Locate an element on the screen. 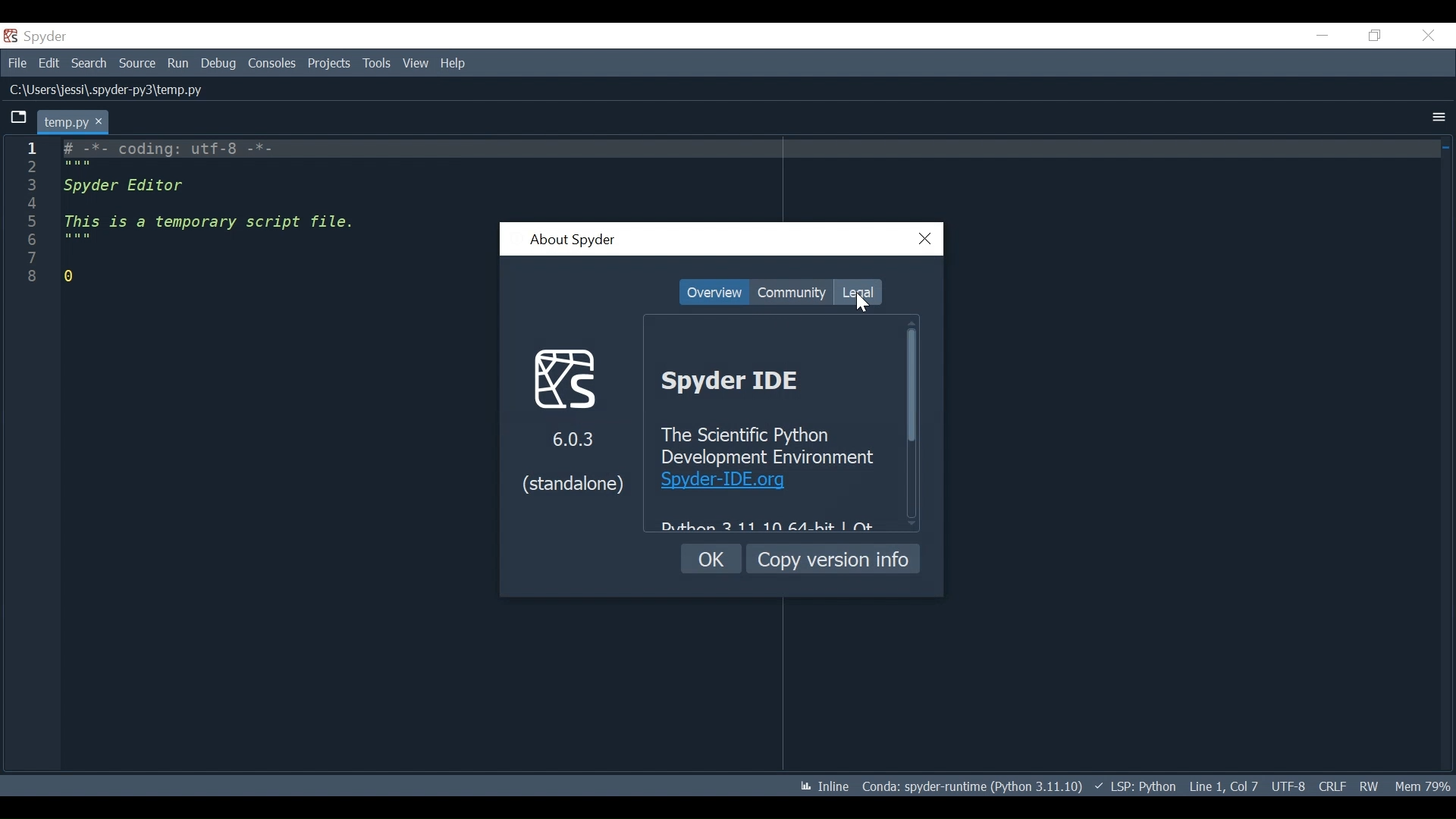 The height and width of the screenshot is (819, 1456). Search is located at coordinates (89, 63).